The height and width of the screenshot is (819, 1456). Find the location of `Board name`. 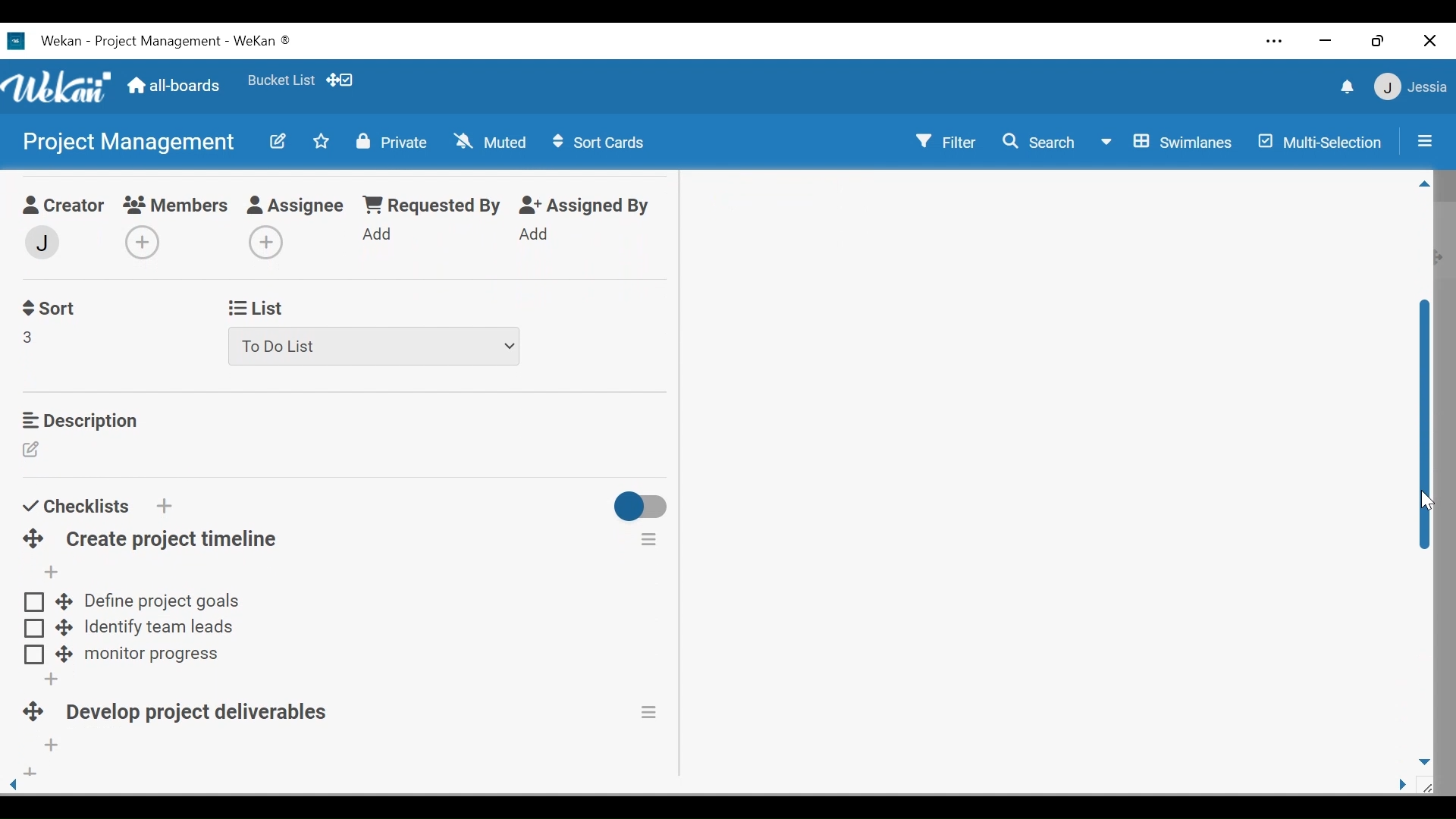

Board name is located at coordinates (127, 141).